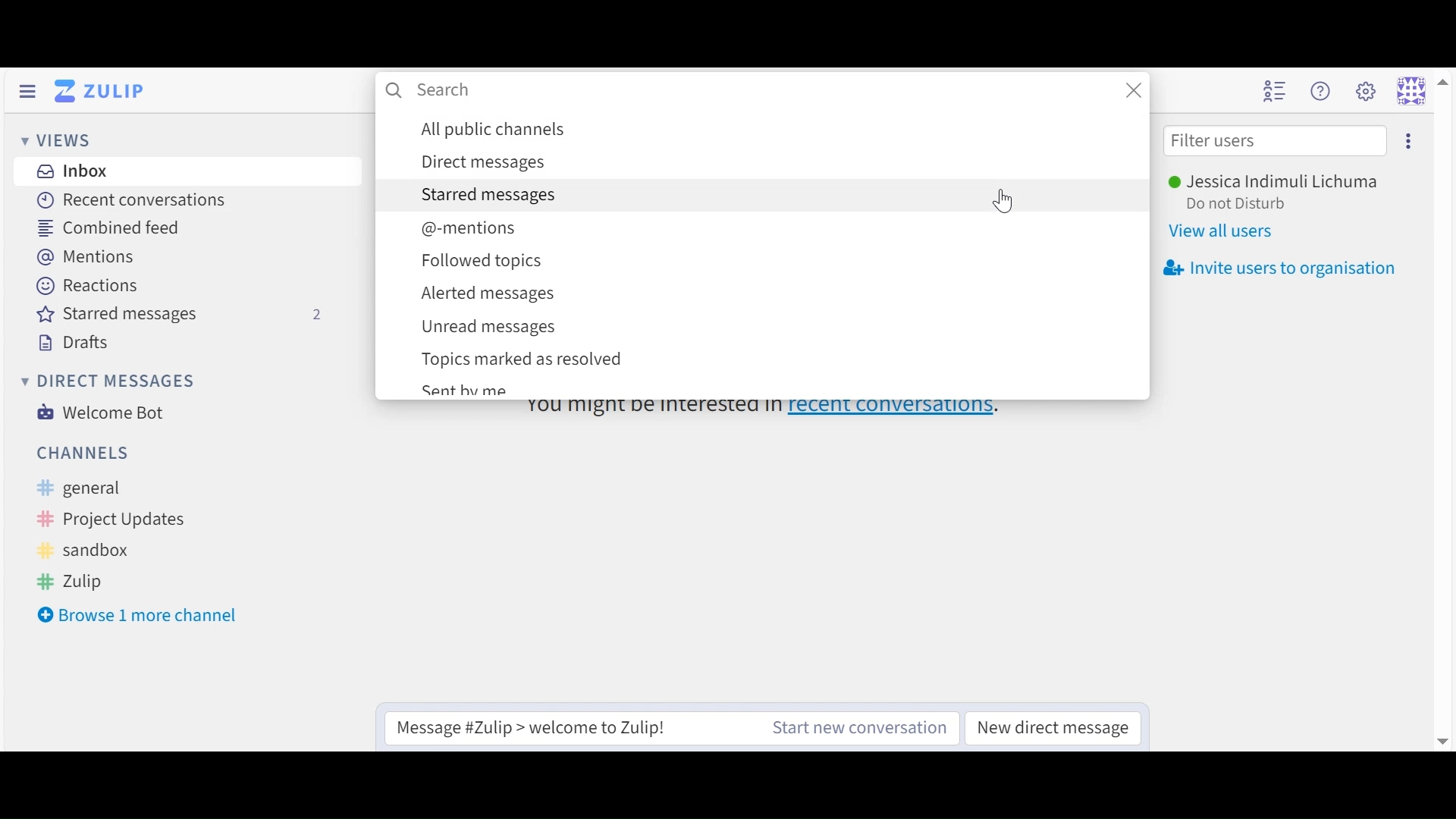  I want to click on Hide Sidebar, so click(26, 91).